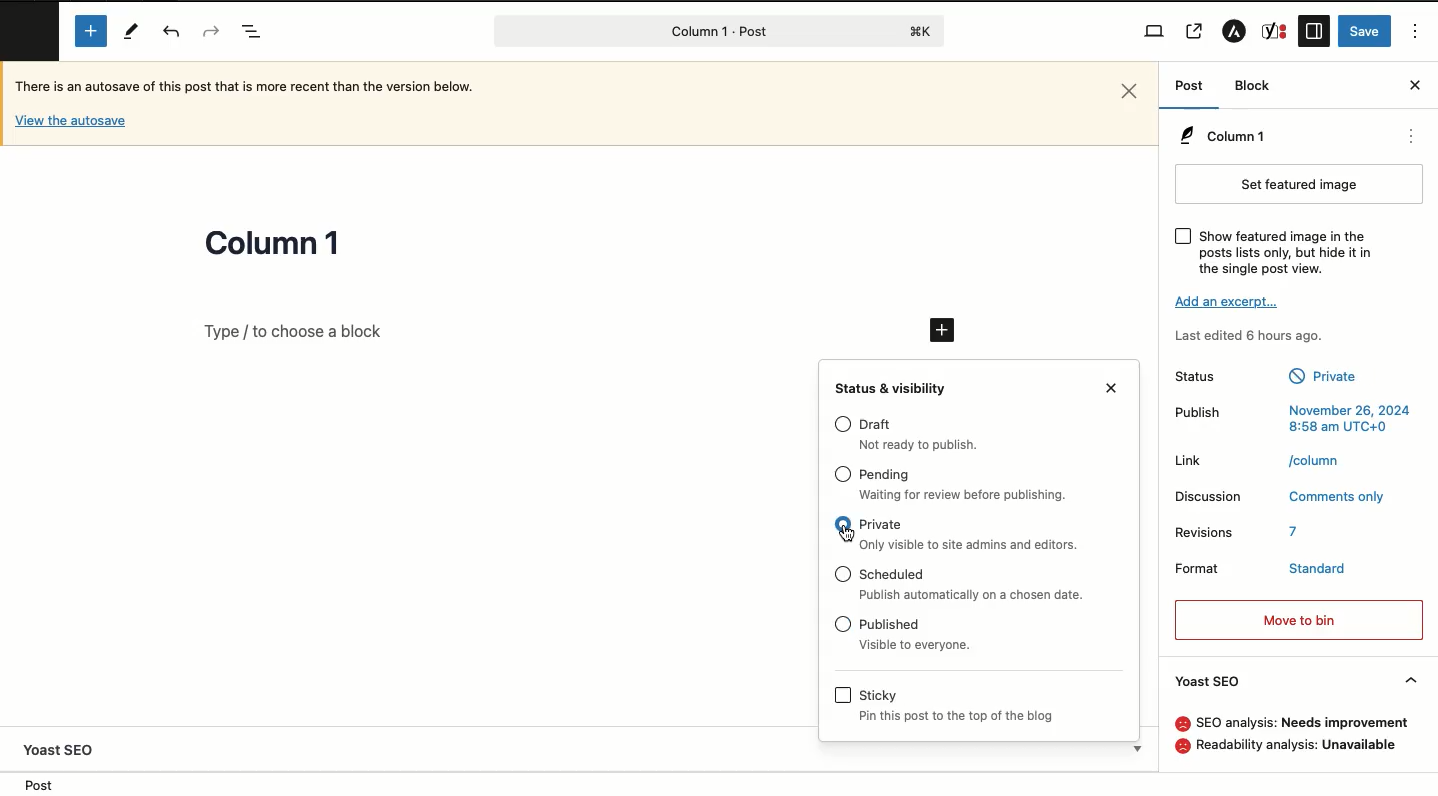 Image resolution: width=1438 pixels, height=796 pixels. I want to click on Block, so click(1253, 85).